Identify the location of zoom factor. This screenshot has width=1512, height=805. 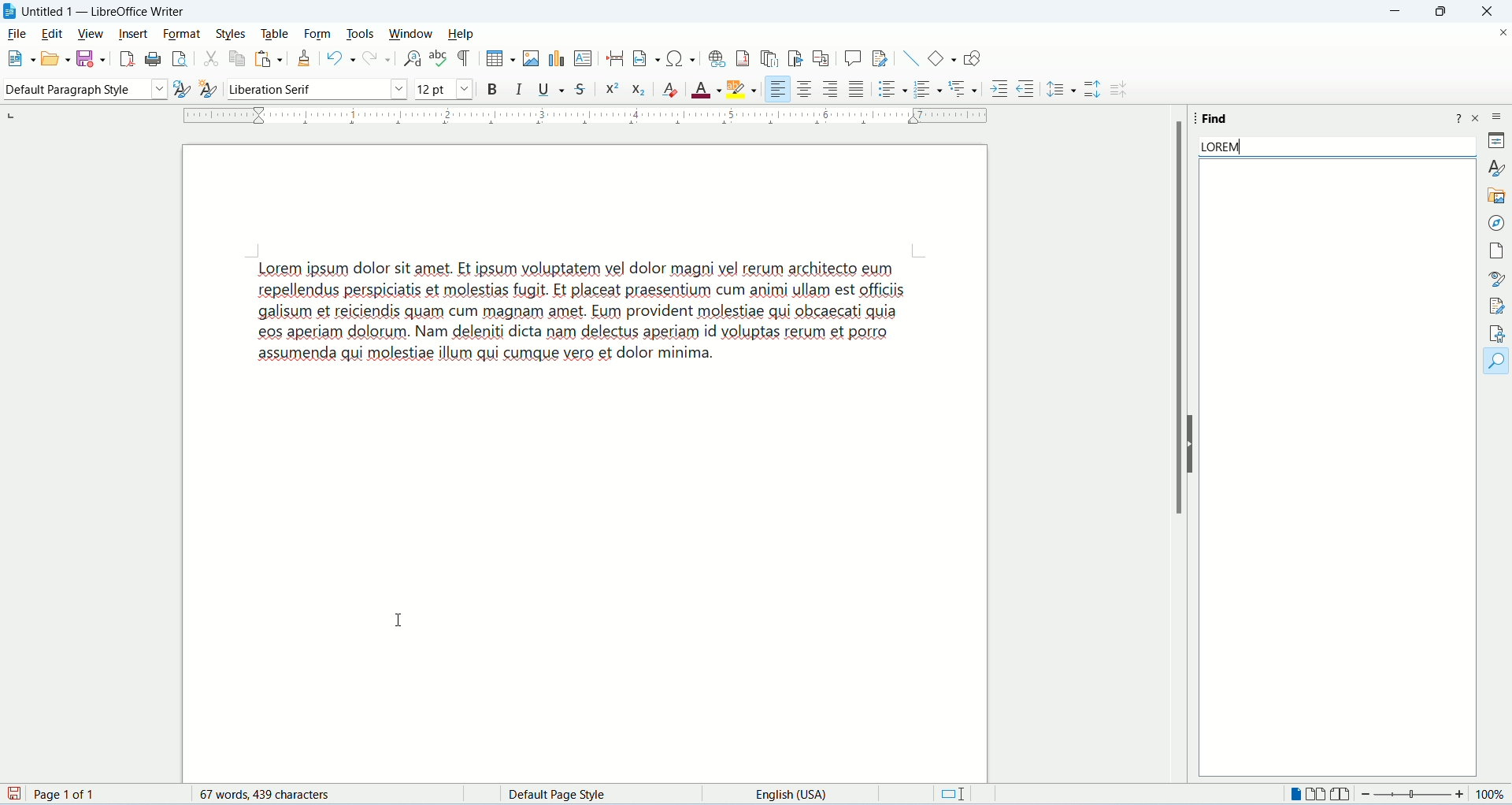
(1433, 793).